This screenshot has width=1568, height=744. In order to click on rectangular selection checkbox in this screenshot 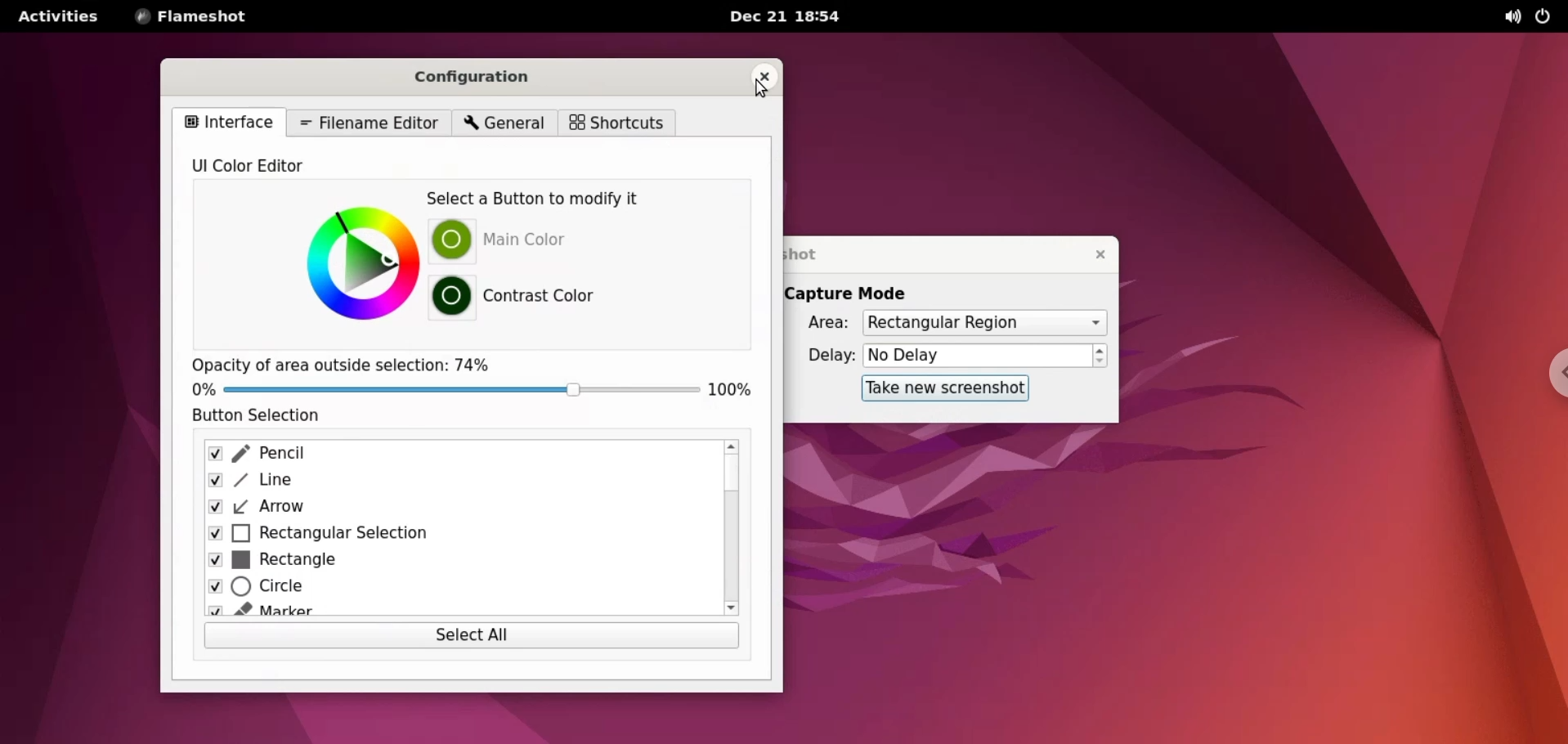, I will do `click(452, 536)`.